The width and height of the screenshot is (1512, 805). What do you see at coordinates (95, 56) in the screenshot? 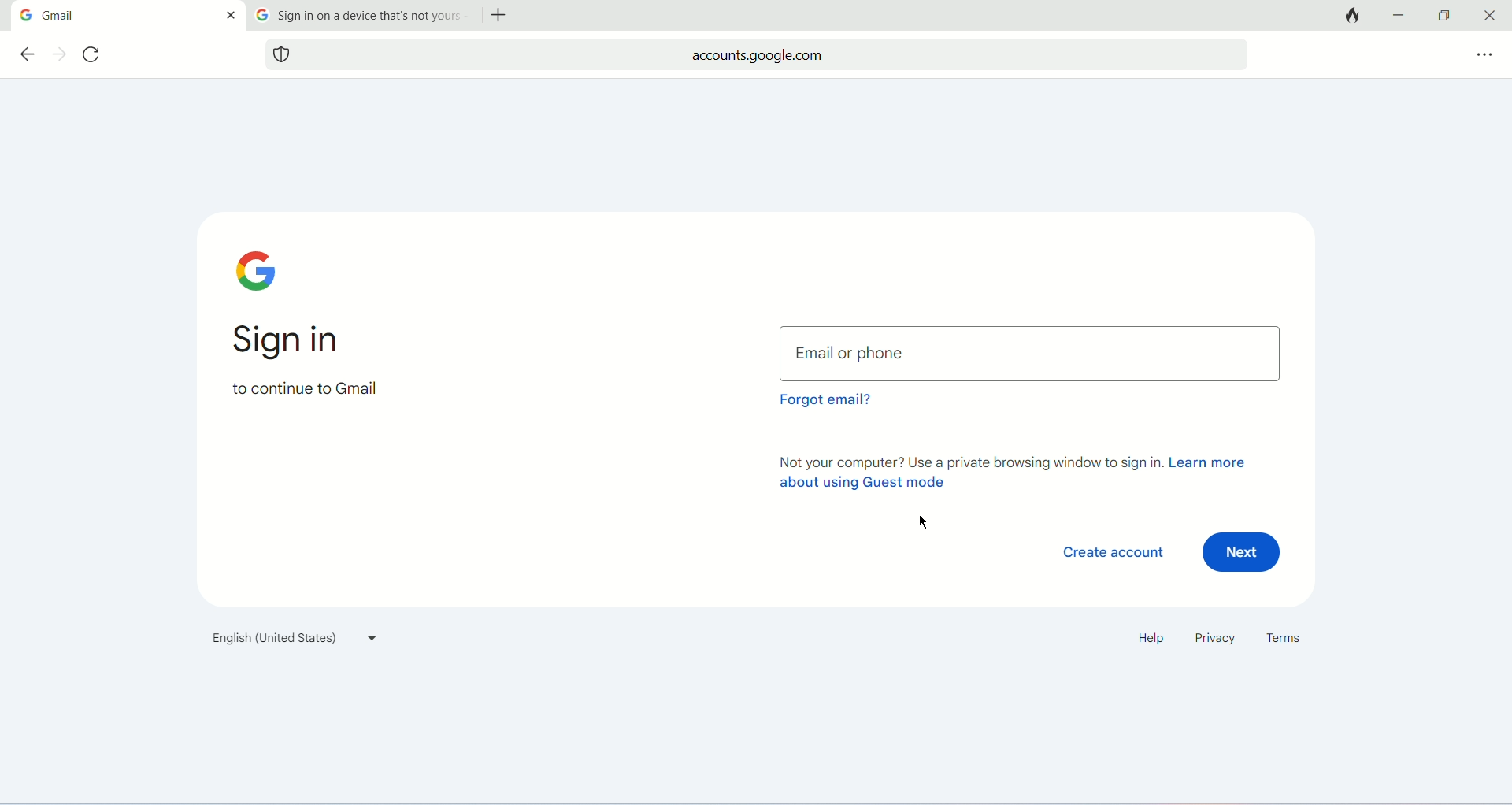
I see `refresh` at bounding box center [95, 56].